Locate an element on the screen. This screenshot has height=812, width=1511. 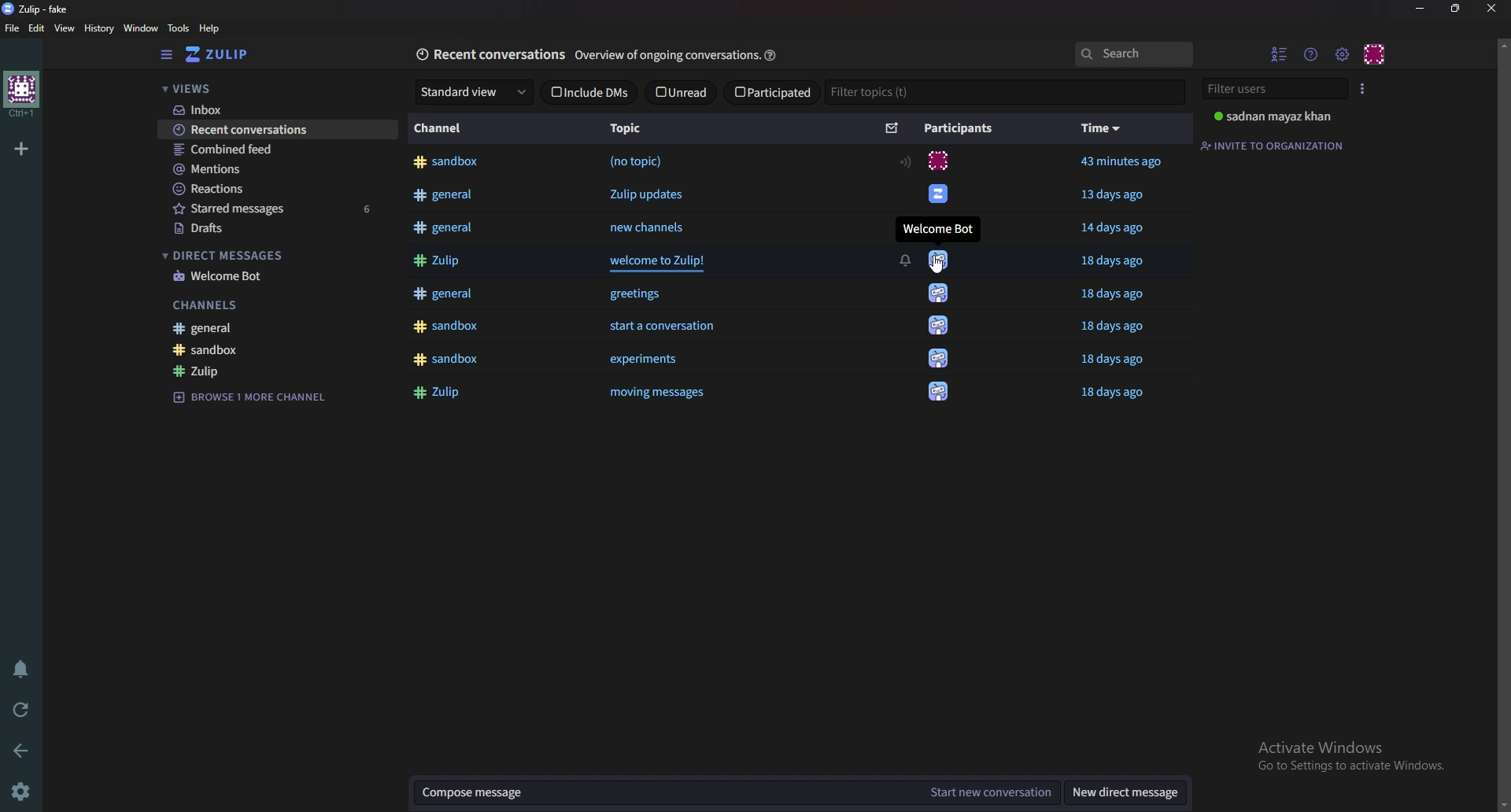
13 days ago is located at coordinates (1118, 195).